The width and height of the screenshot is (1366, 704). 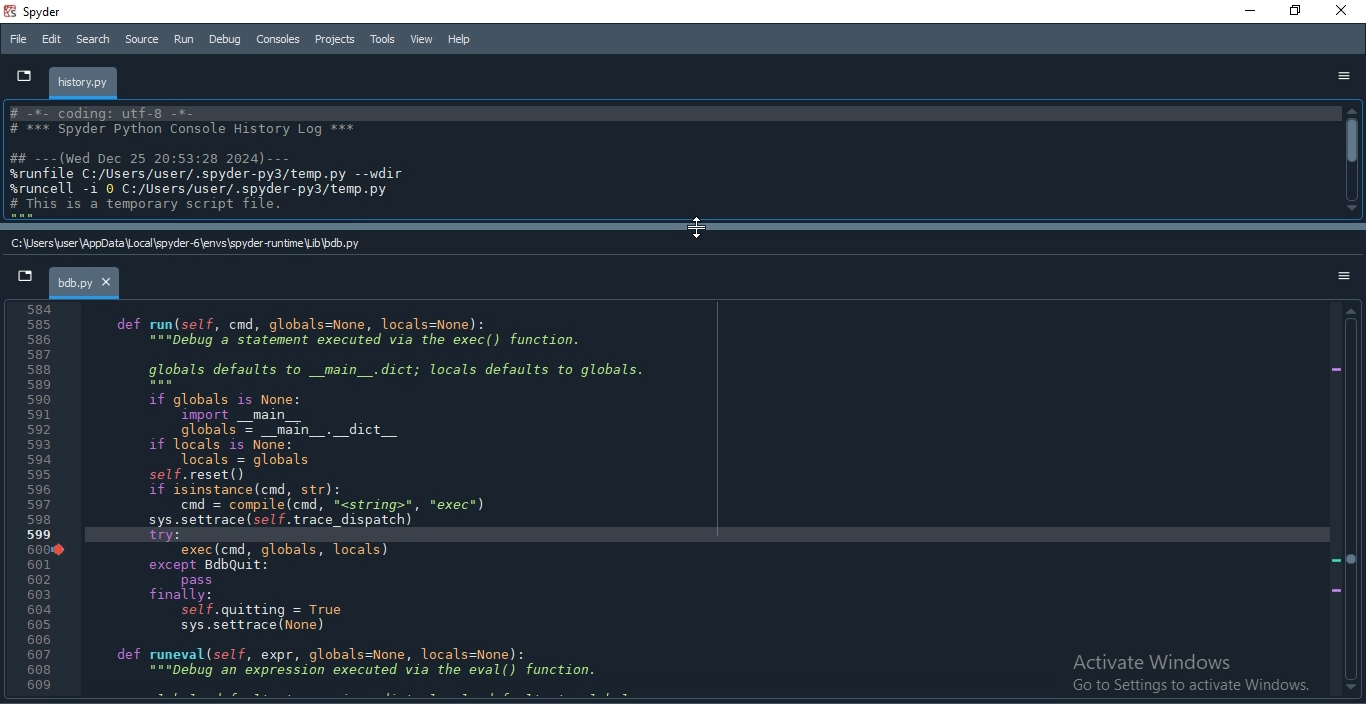 What do you see at coordinates (1247, 12) in the screenshot?
I see `minimise` at bounding box center [1247, 12].